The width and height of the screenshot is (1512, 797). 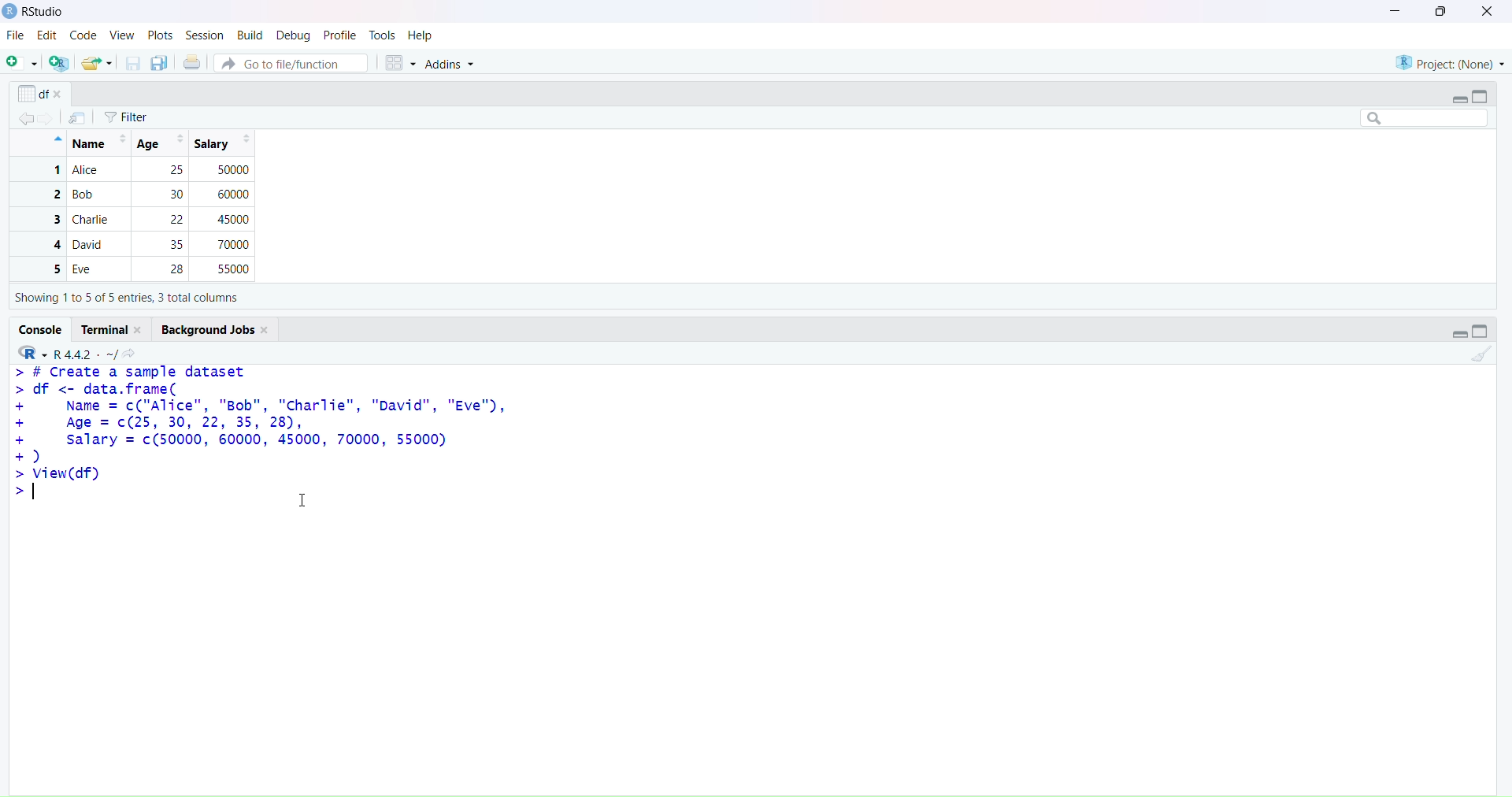 What do you see at coordinates (121, 34) in the screenshot?
I see `view` at bounding box center [121, 34].